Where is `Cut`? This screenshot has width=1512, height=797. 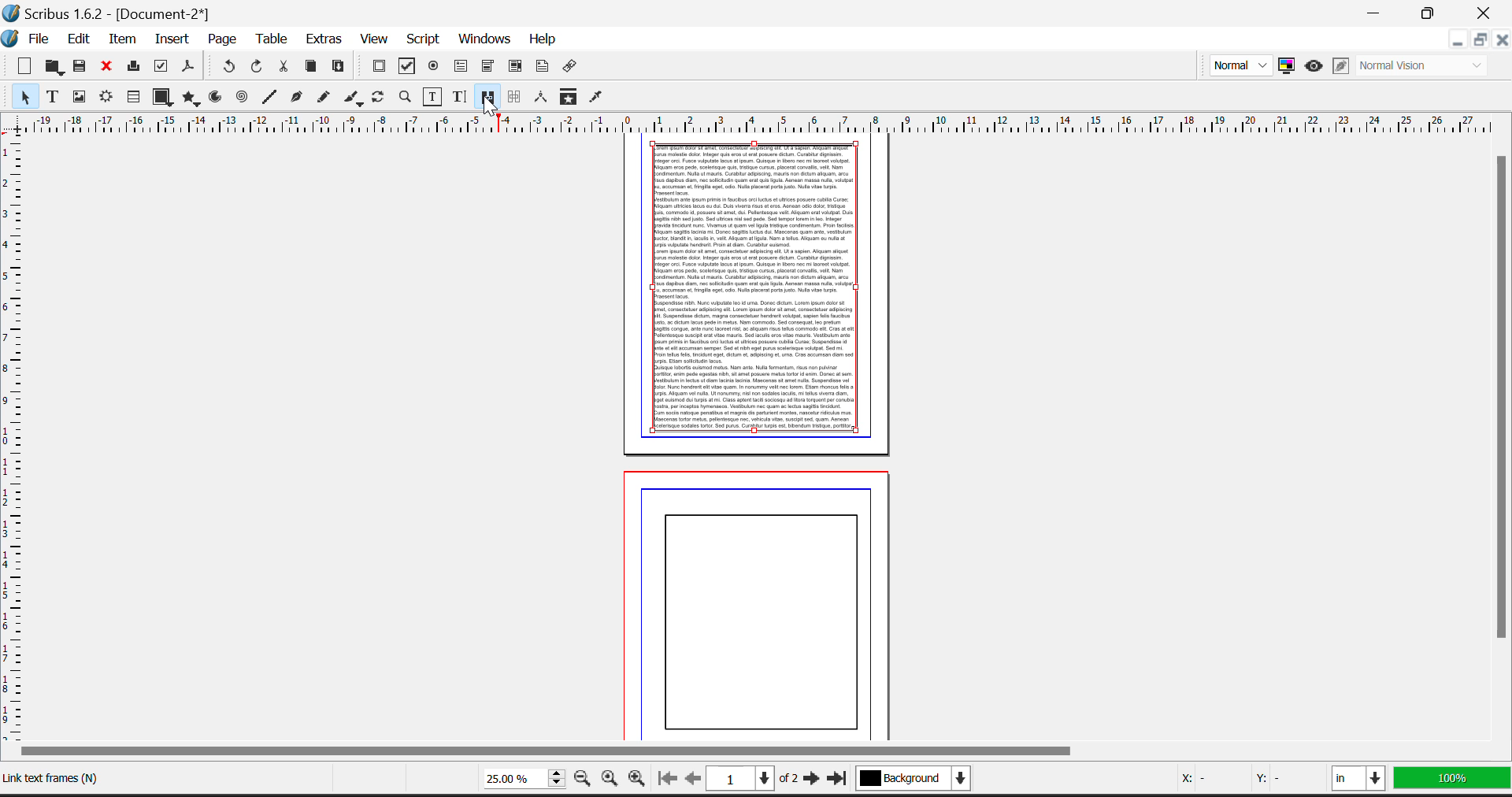 Cut is located at coordinates (283, 69).